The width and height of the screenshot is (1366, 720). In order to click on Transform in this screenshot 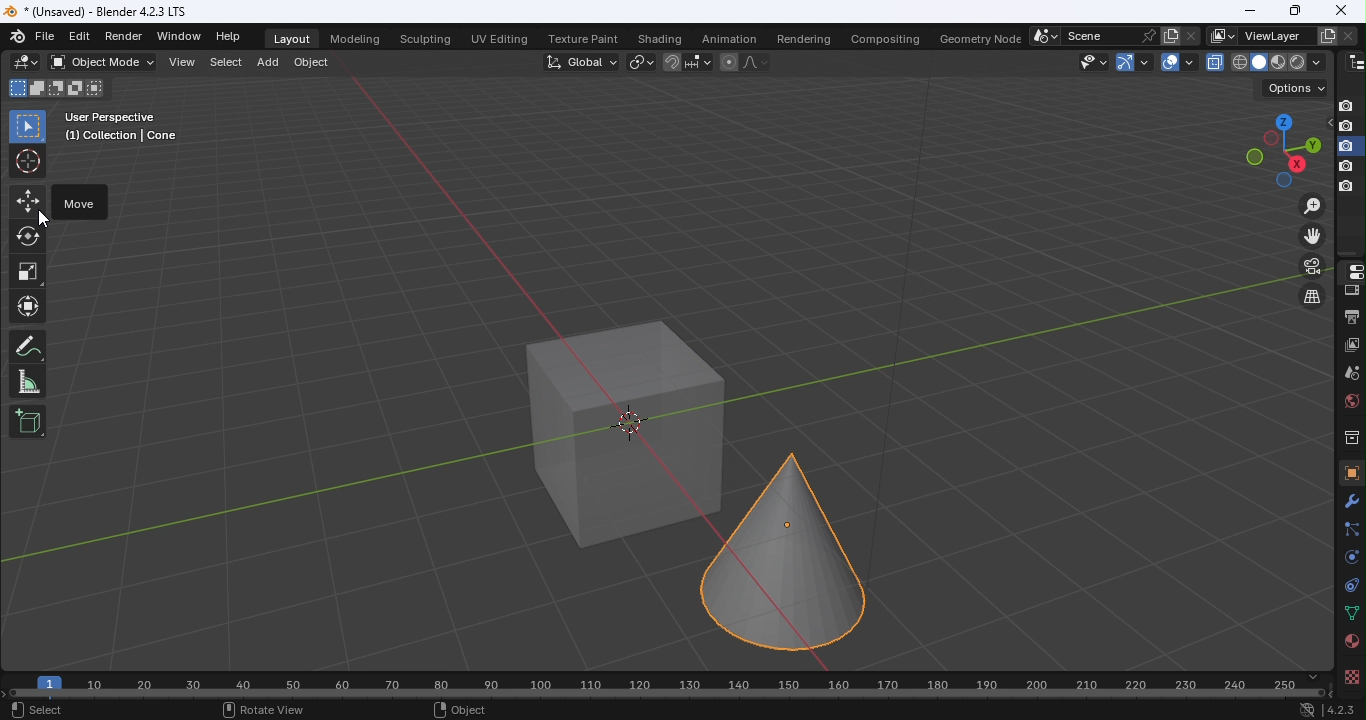, I will do `click(28, 309)`.